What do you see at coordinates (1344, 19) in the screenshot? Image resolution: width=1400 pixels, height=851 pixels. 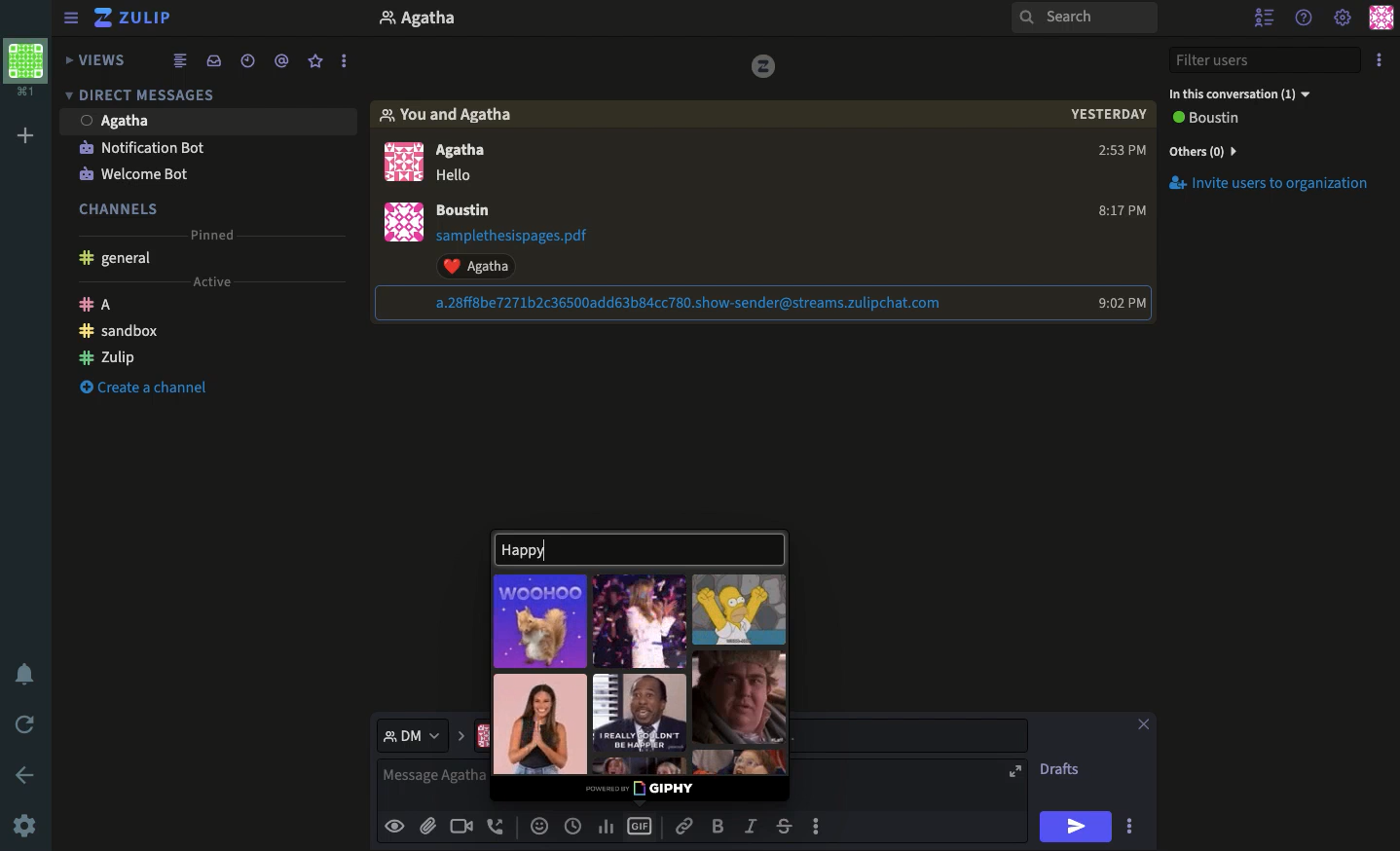 I see `Settings` at bounding box center [1344, 19].